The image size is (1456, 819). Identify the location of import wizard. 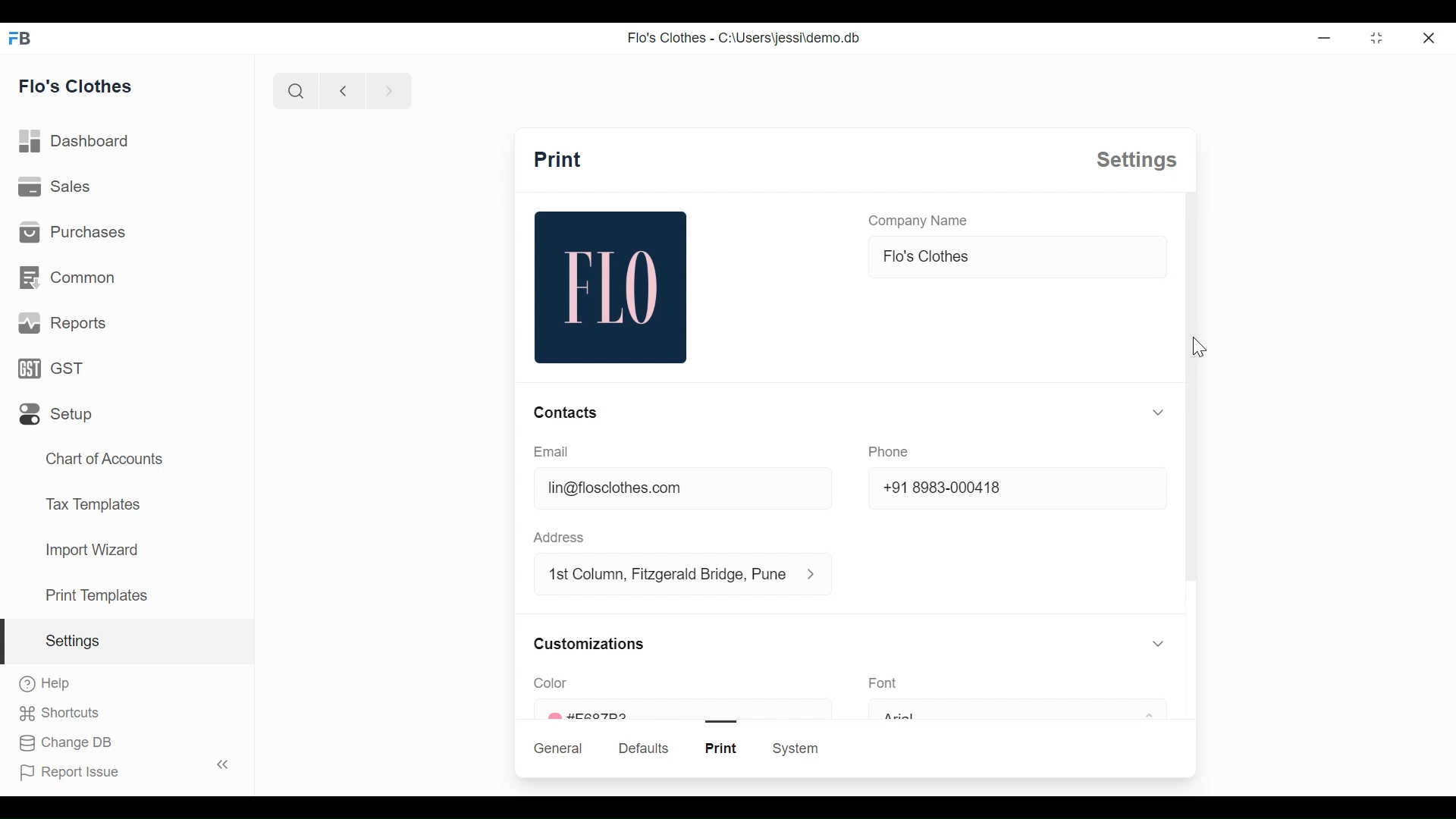
(91, 550).